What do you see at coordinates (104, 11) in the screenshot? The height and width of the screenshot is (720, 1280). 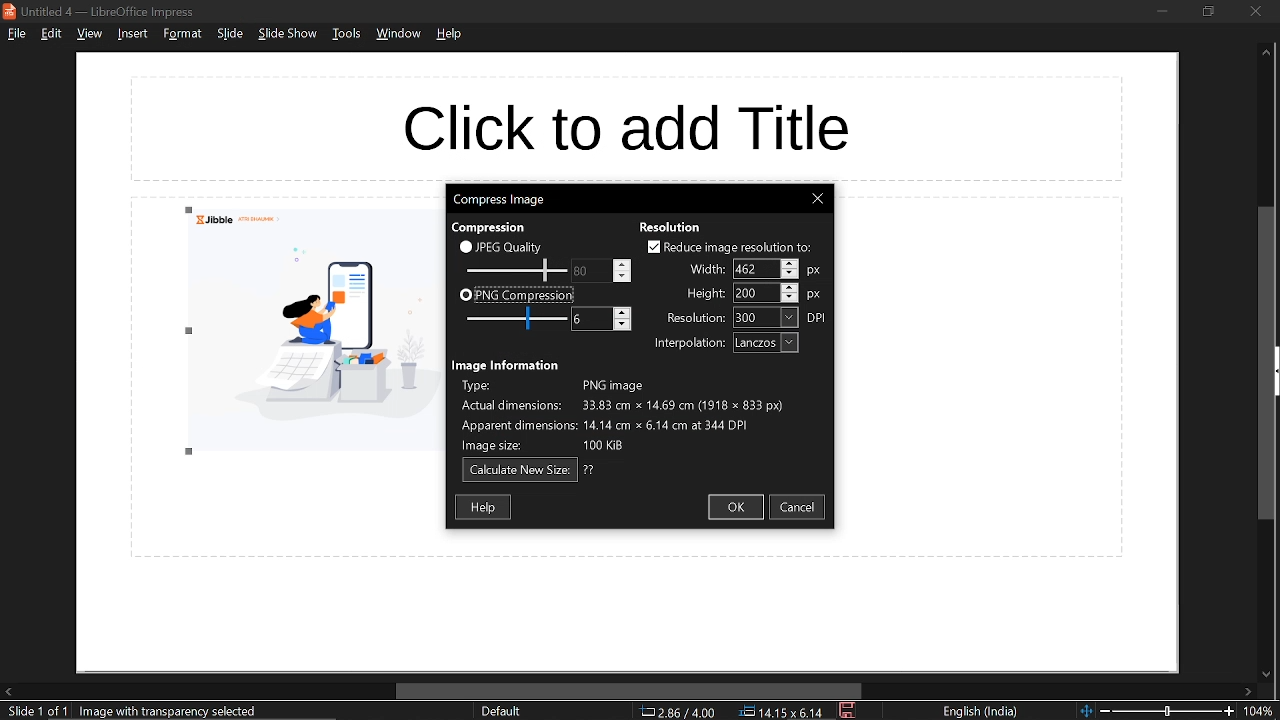 I see `current window` at bounding box center [104, 11].